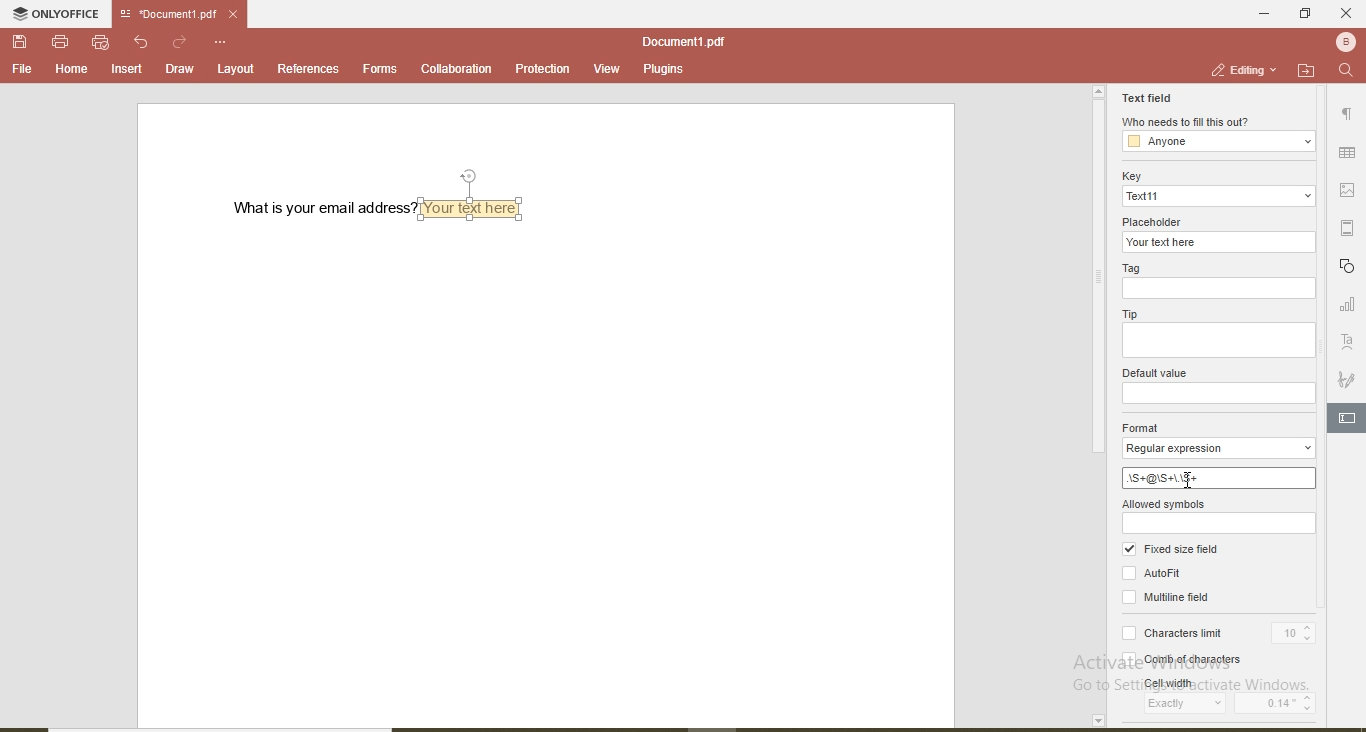 This screenshot has height=732, width=1366. I want to click on close, so click(1346, 13).